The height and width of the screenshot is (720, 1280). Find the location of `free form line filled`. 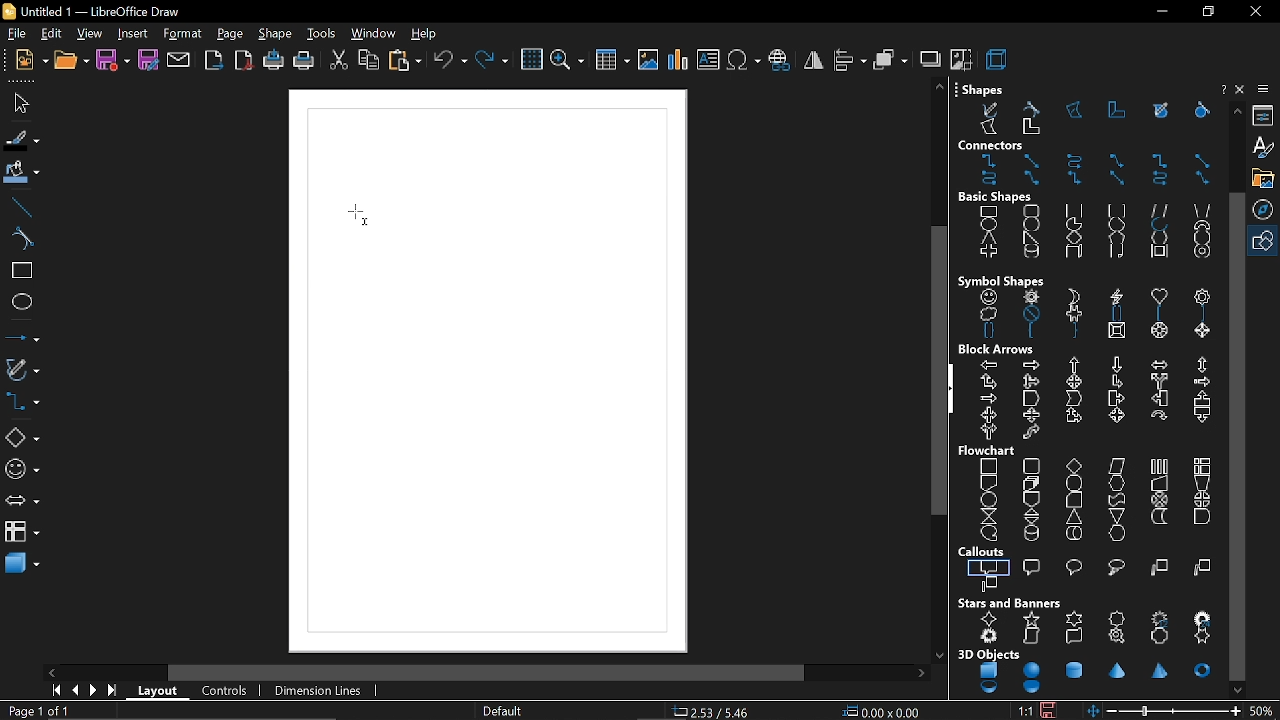

free form line filled is located at coordinates (1161, 110).